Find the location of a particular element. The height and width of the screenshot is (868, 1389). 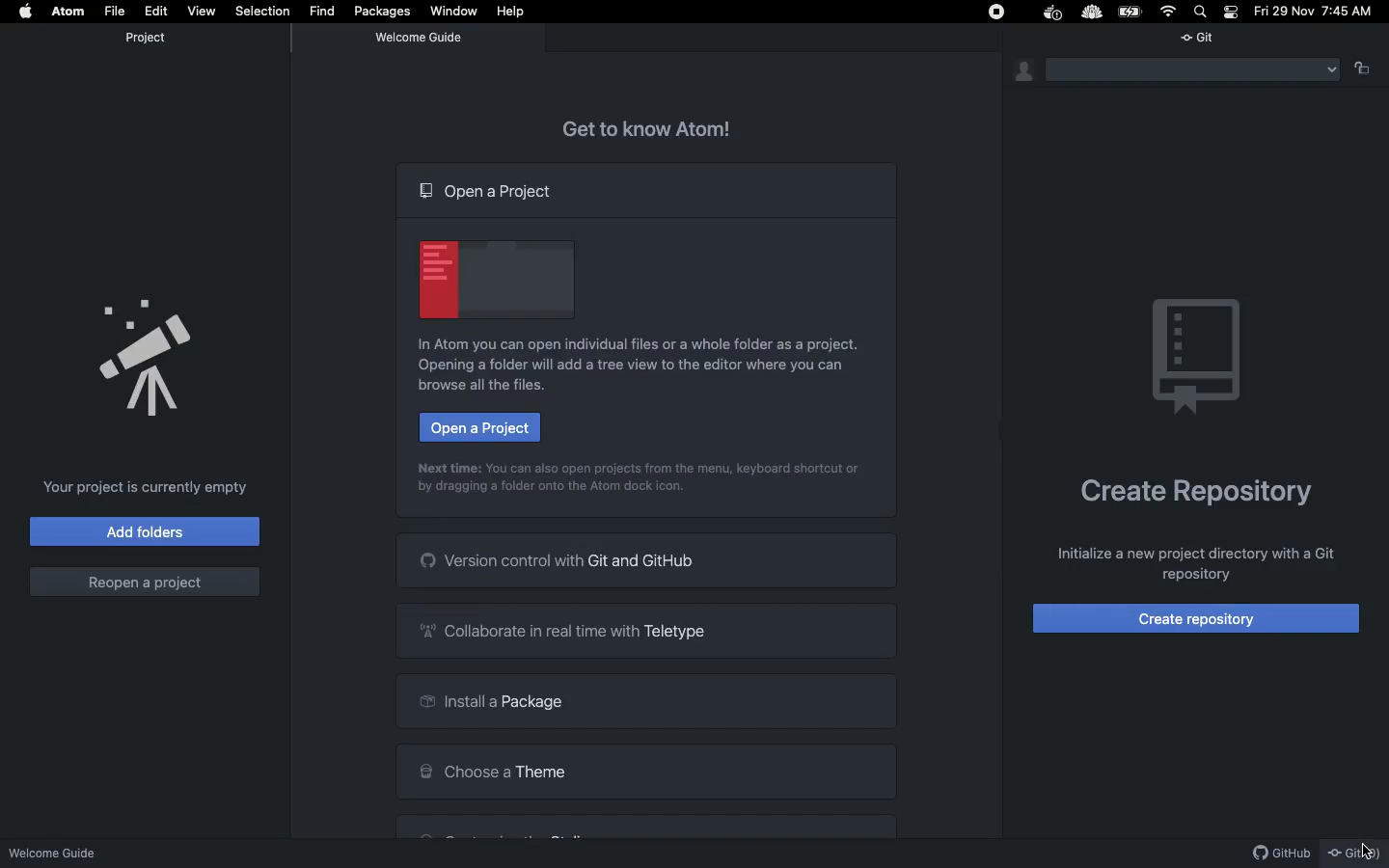

Initialize a new project directory with a Git
repository is located at coordinates (1192, 564).